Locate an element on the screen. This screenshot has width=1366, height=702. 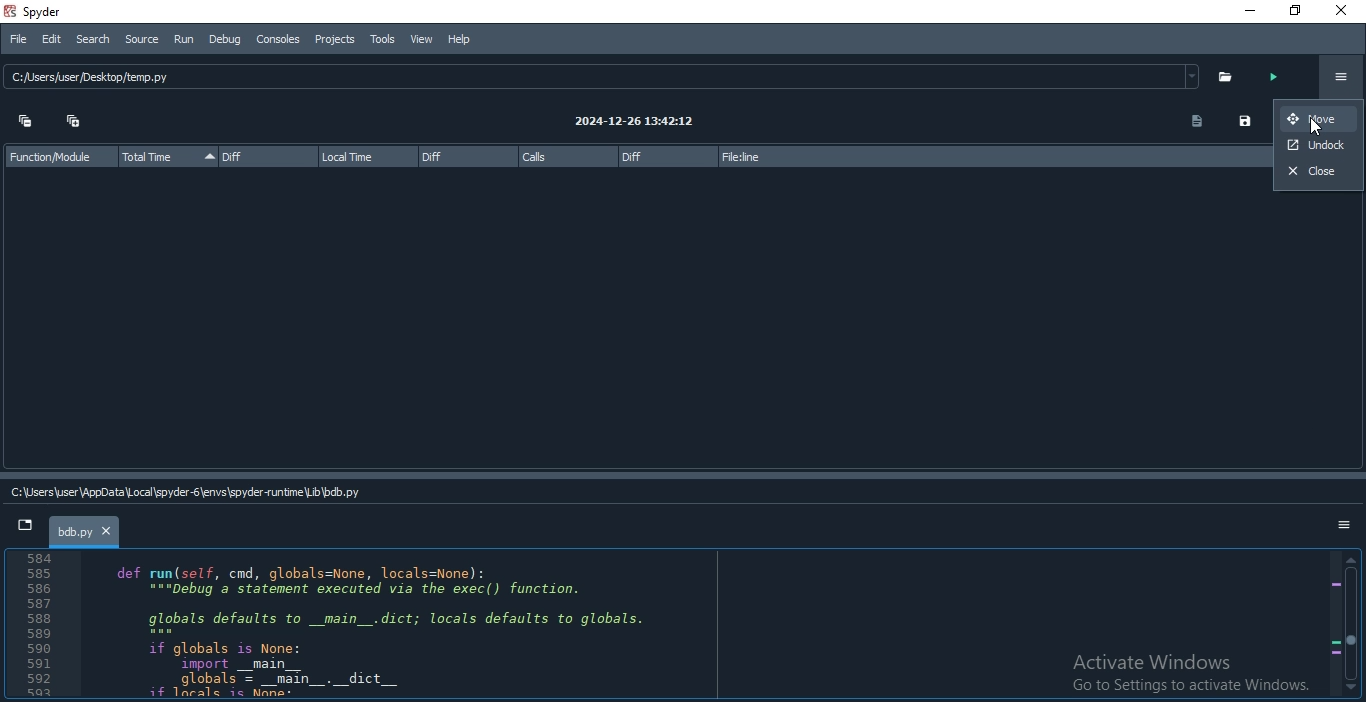
2024-12-26 13:42:12 is located at coordinates (629, 123).